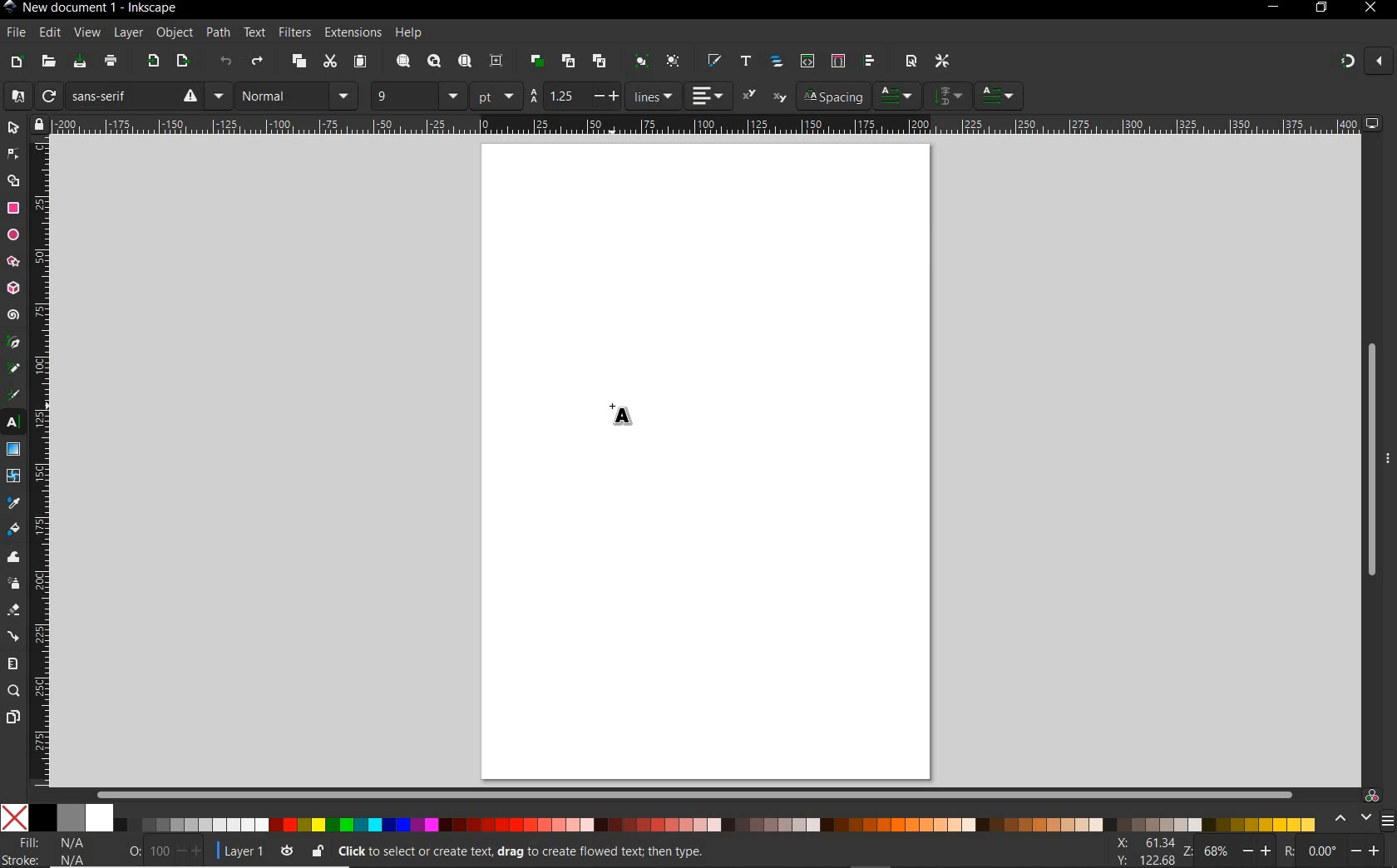 The width and height of the screenshot is (1397, 868). I want to click on zoom center page, so click(497, 61).